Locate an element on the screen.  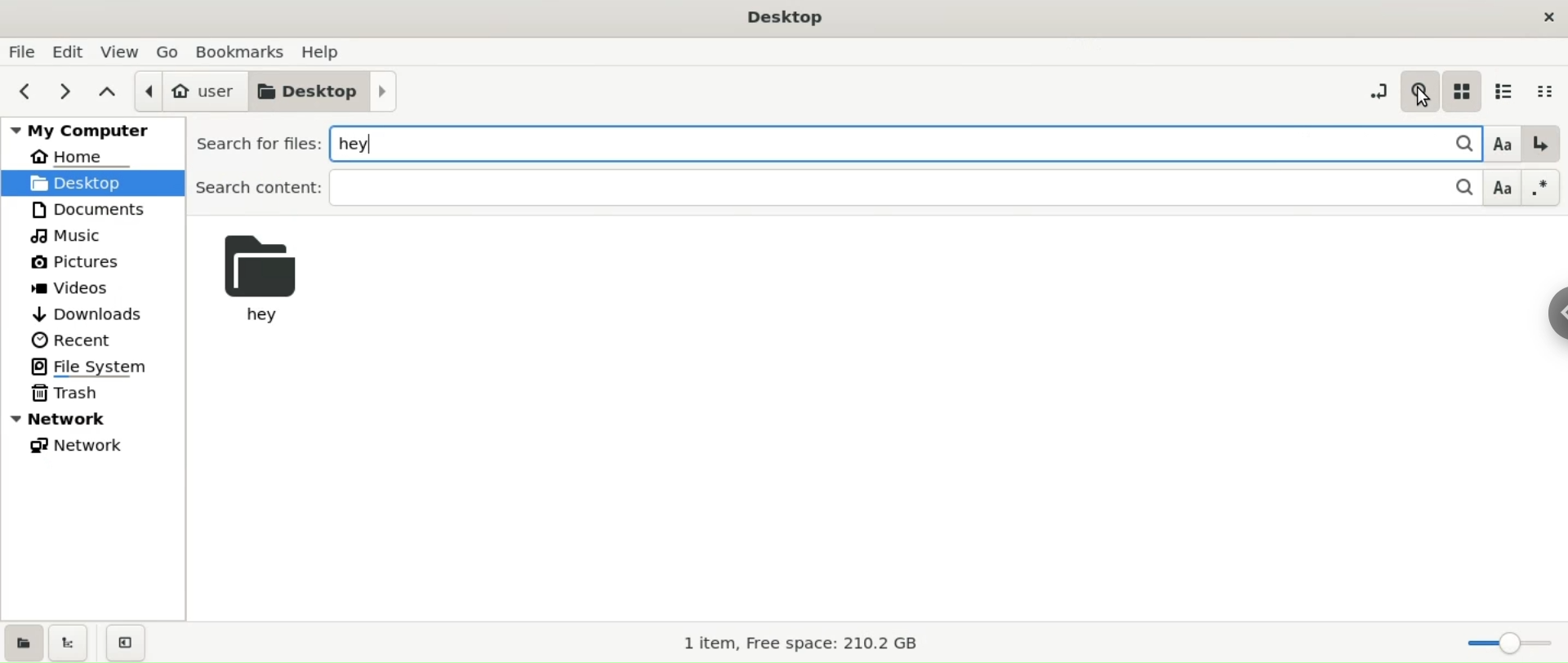
typing hey is located at coordinates (873, 144).